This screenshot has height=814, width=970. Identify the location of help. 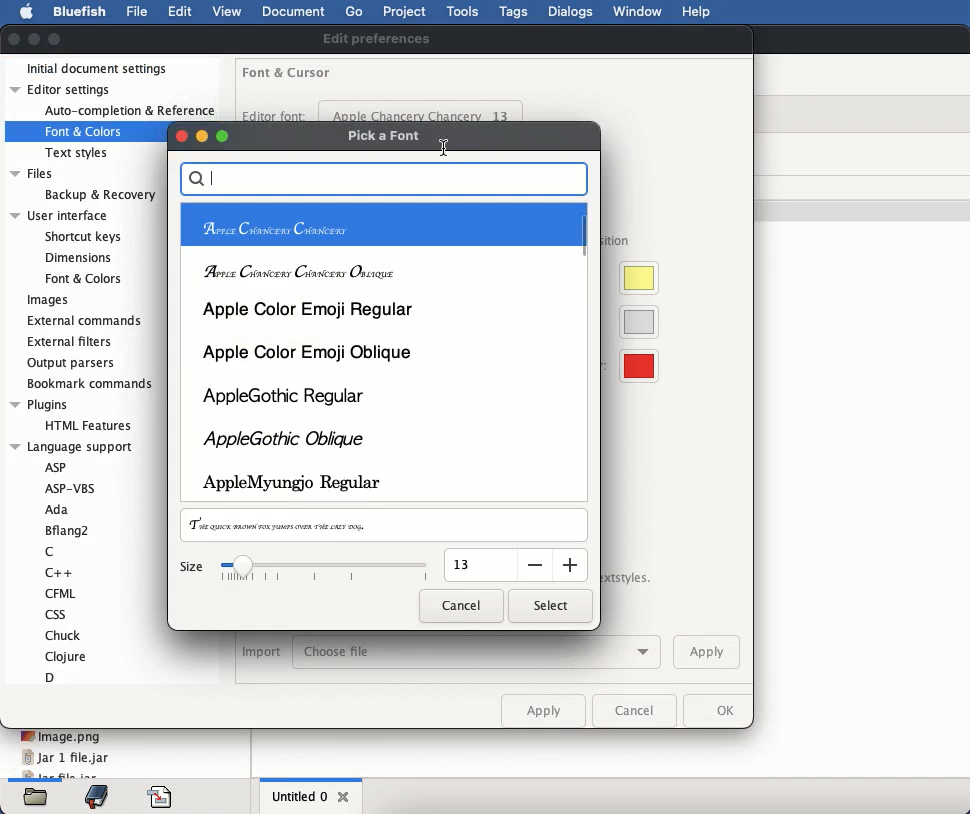
(696, 12).